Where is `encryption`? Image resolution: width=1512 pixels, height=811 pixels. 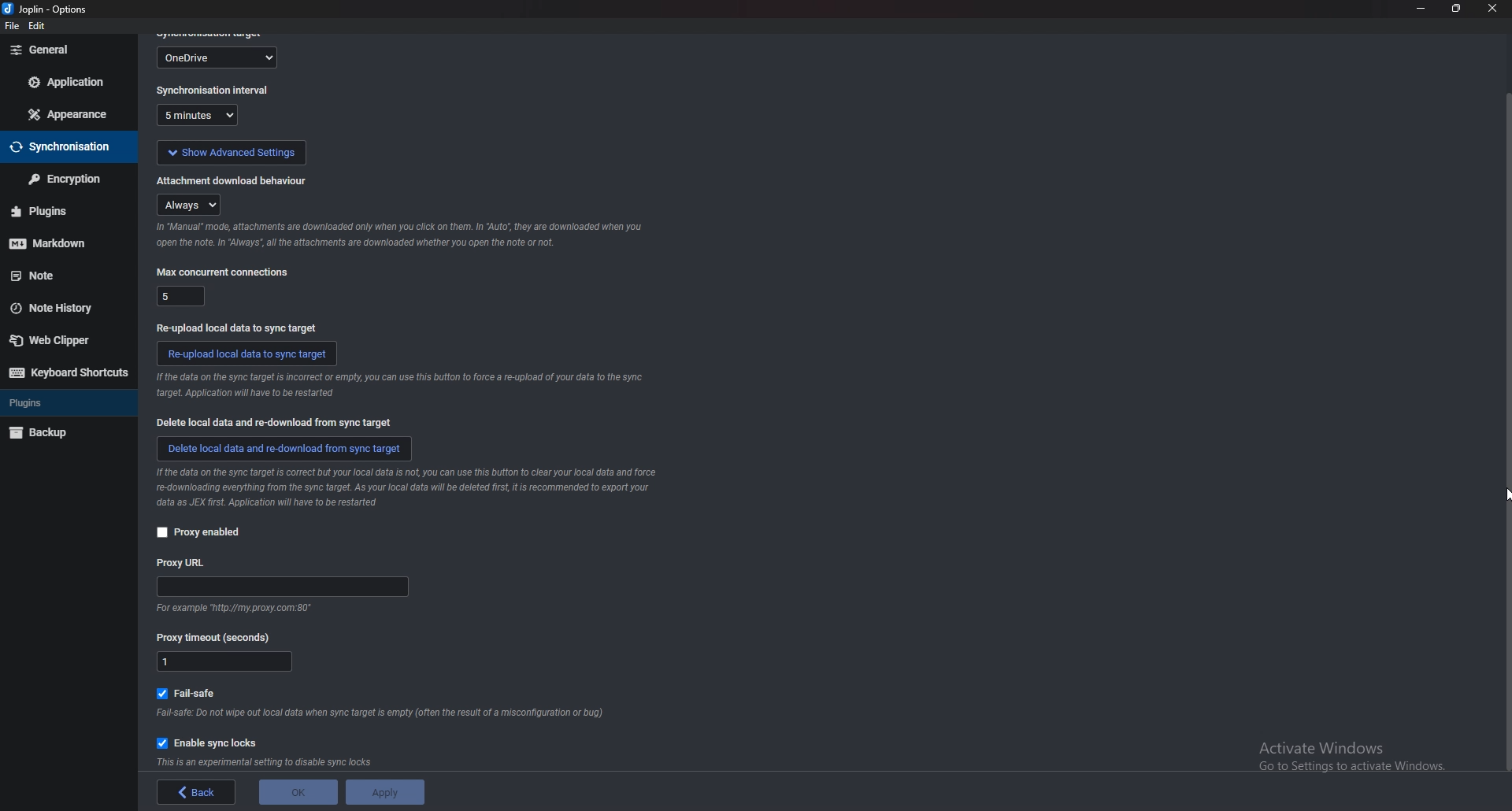
encryption is located at coordinates (63, 180).